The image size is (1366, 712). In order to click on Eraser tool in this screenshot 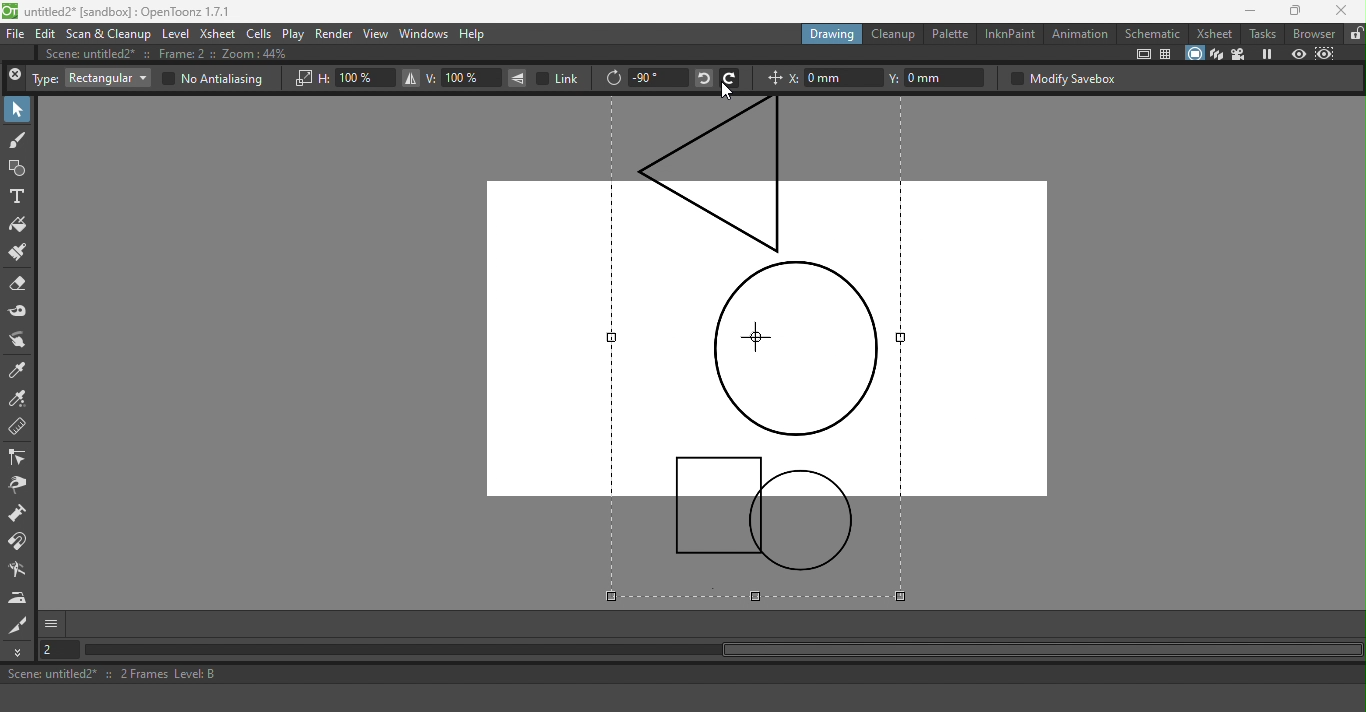, I will do `click(22, 284)`.